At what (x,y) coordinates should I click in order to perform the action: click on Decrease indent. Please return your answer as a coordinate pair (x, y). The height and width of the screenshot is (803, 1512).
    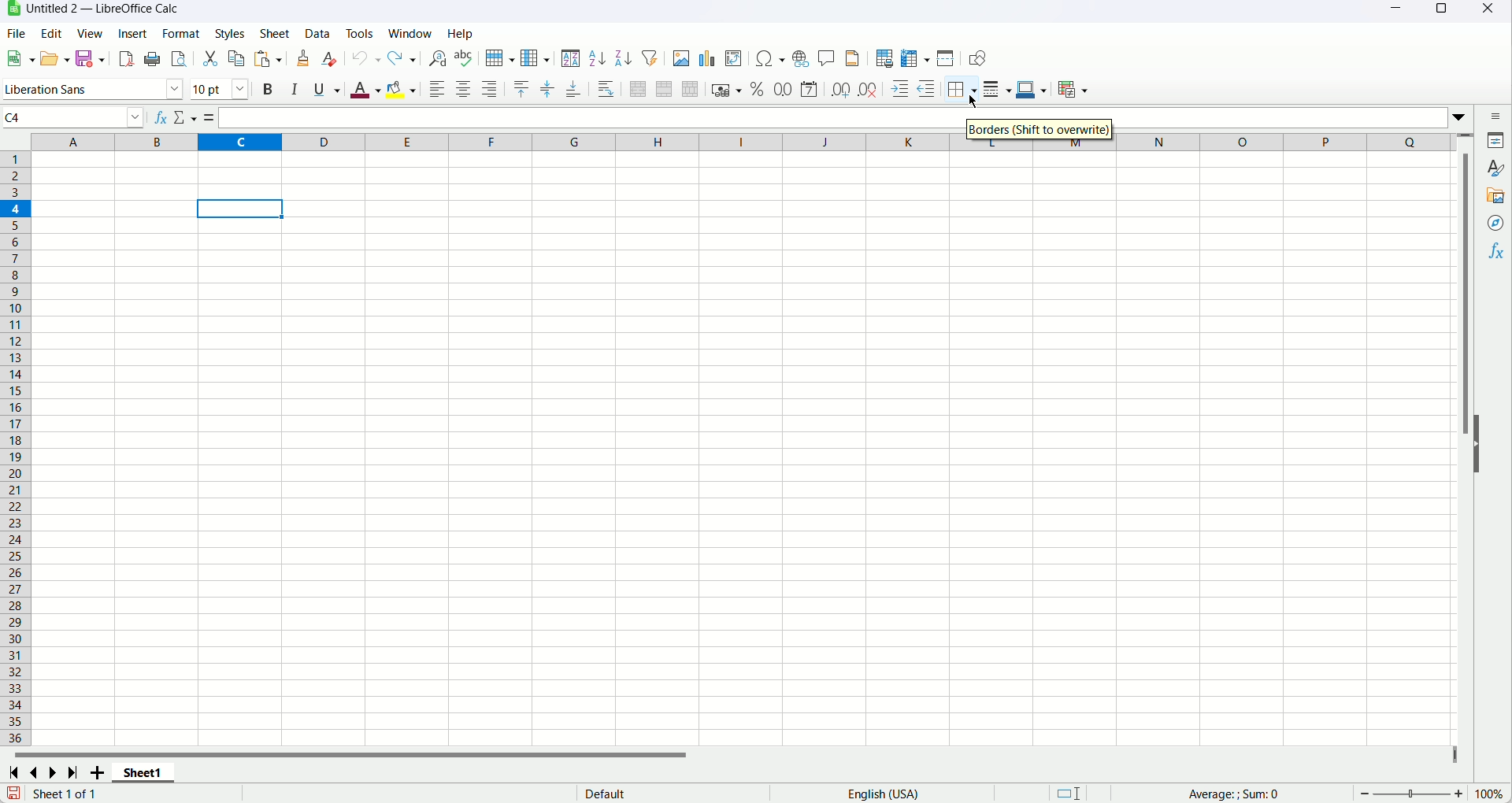
    Looking at the image, I should click on (927, 89).